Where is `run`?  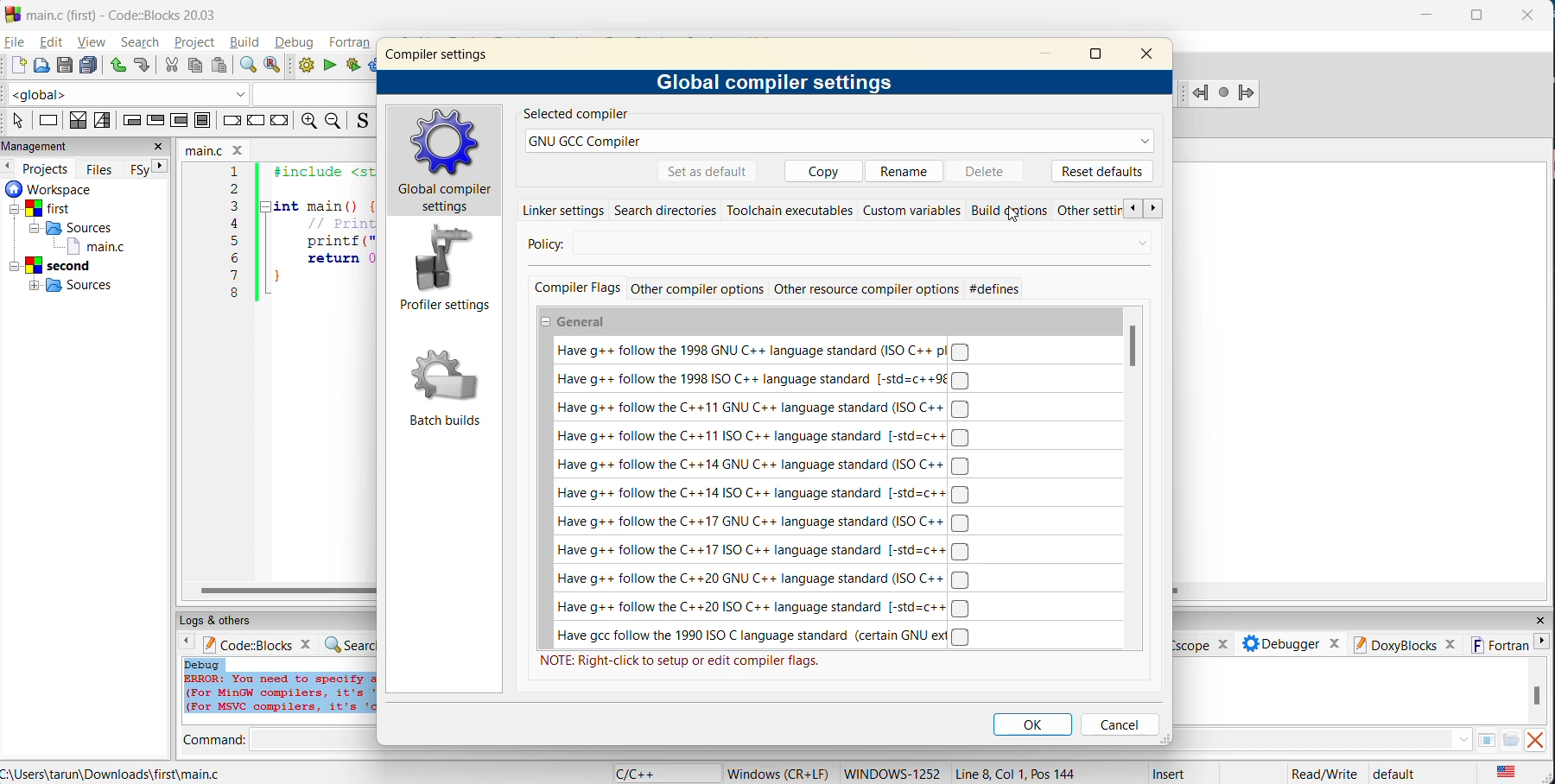 run is located at coordinates (331, 66).